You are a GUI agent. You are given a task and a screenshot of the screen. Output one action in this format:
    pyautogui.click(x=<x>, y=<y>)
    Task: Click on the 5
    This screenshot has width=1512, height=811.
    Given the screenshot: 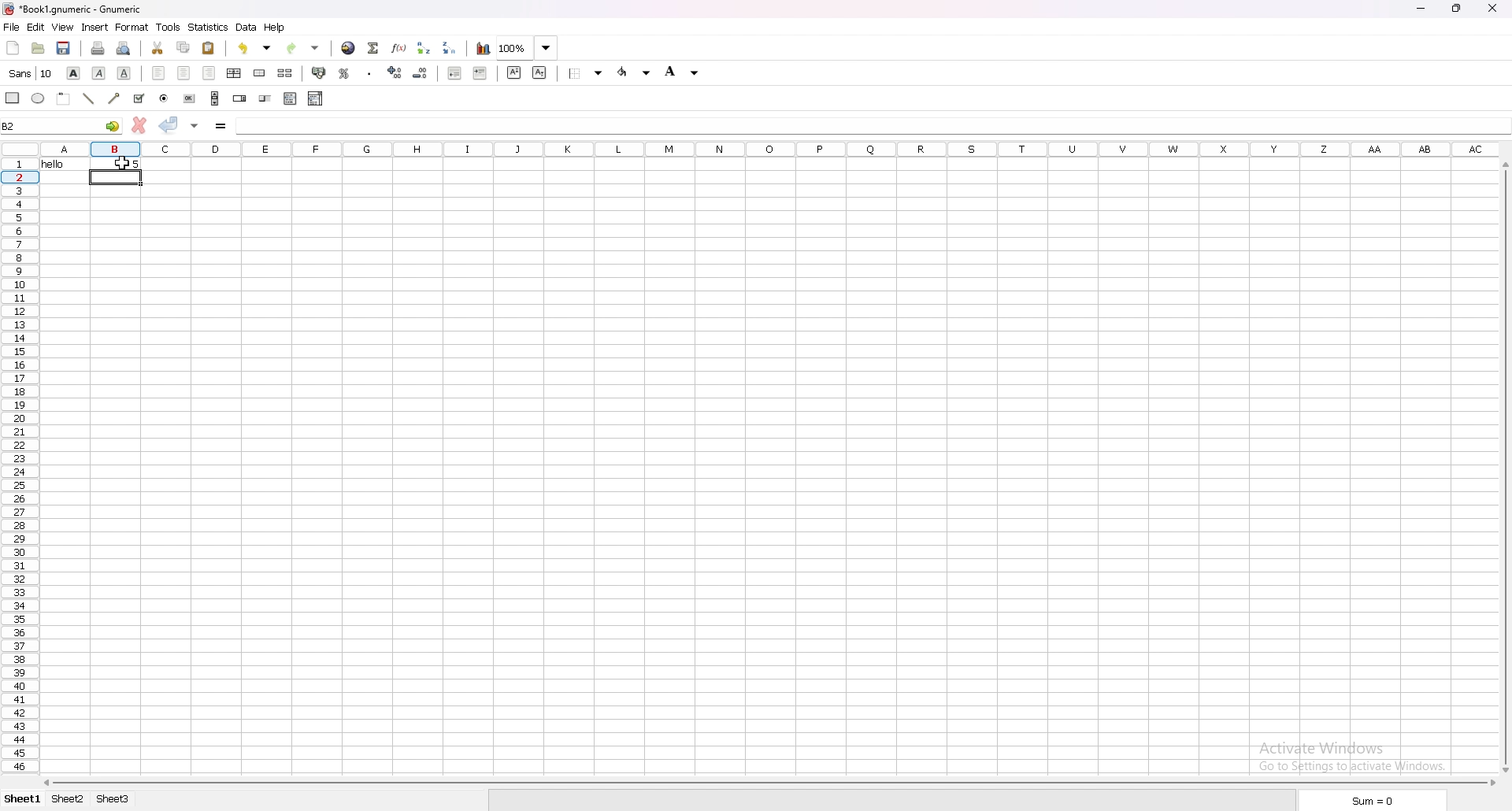 What is the action you would take?
    pyautogui.click(x=117, y=165)
    